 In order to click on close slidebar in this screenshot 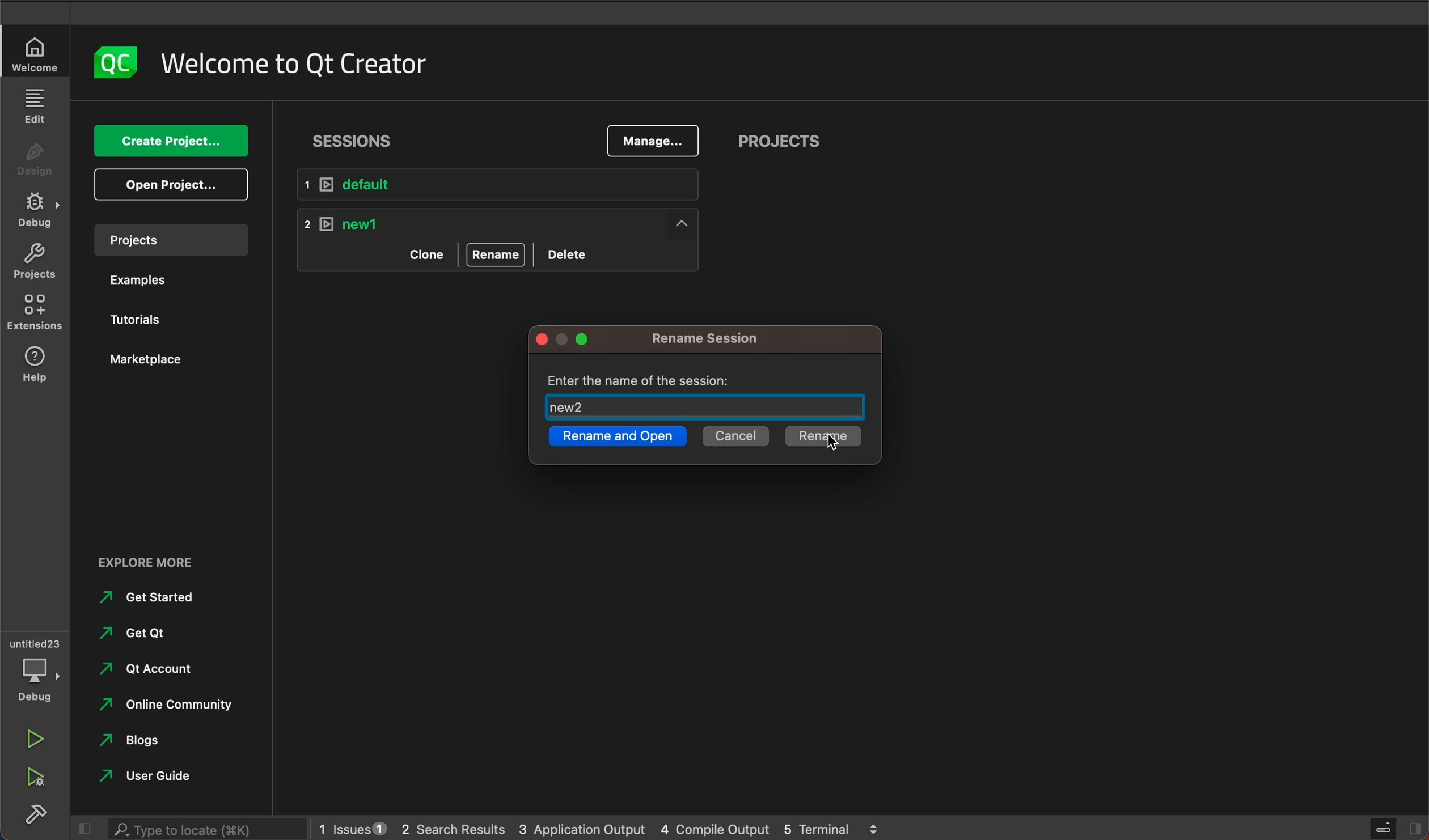, I will do `click(82, 829)`.